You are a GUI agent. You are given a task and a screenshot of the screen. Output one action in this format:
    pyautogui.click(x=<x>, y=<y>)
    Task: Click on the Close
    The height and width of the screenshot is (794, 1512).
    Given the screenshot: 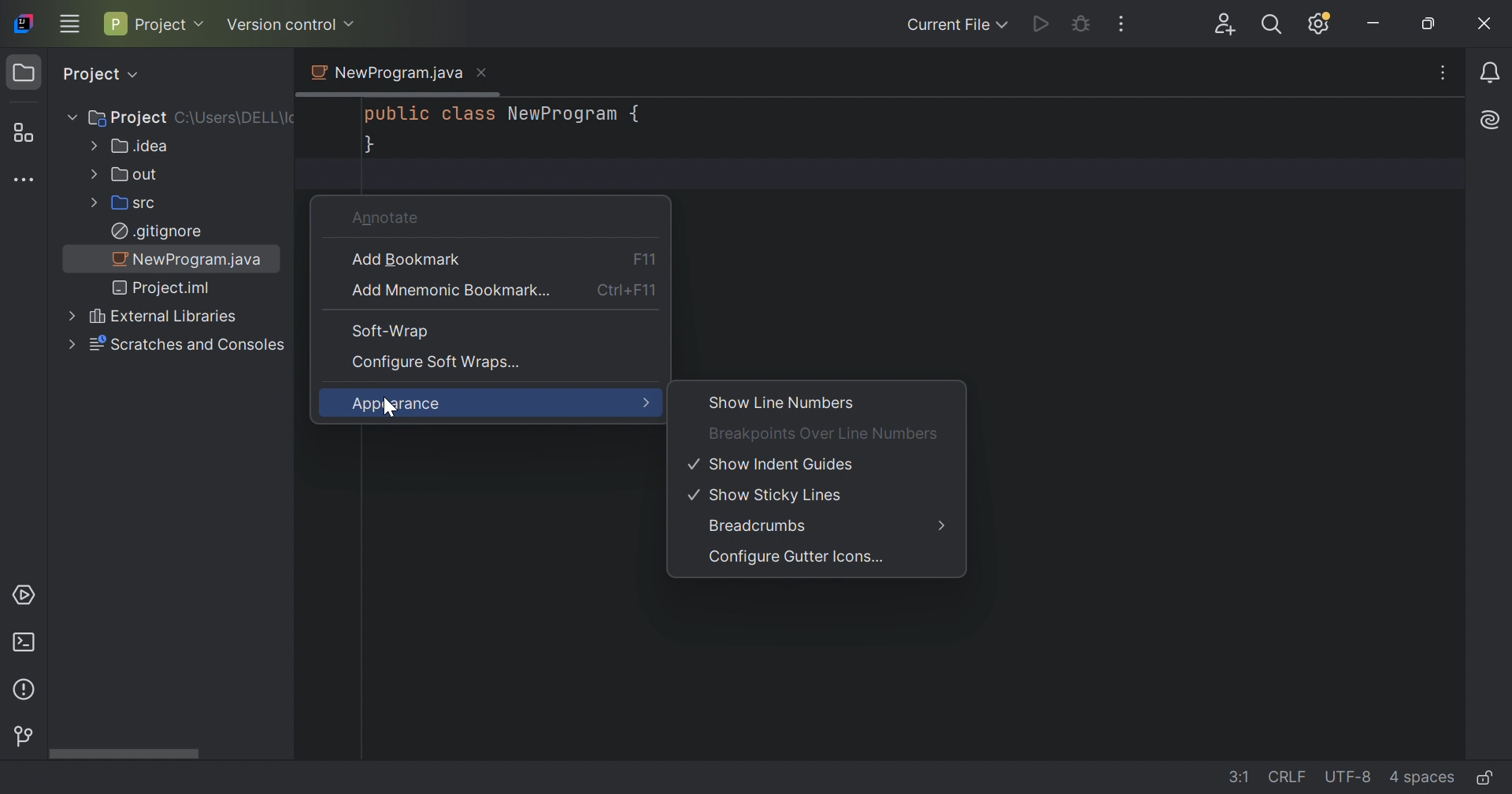 What is the action you would take?
    pyautogui.click(x=481, y=72)
    